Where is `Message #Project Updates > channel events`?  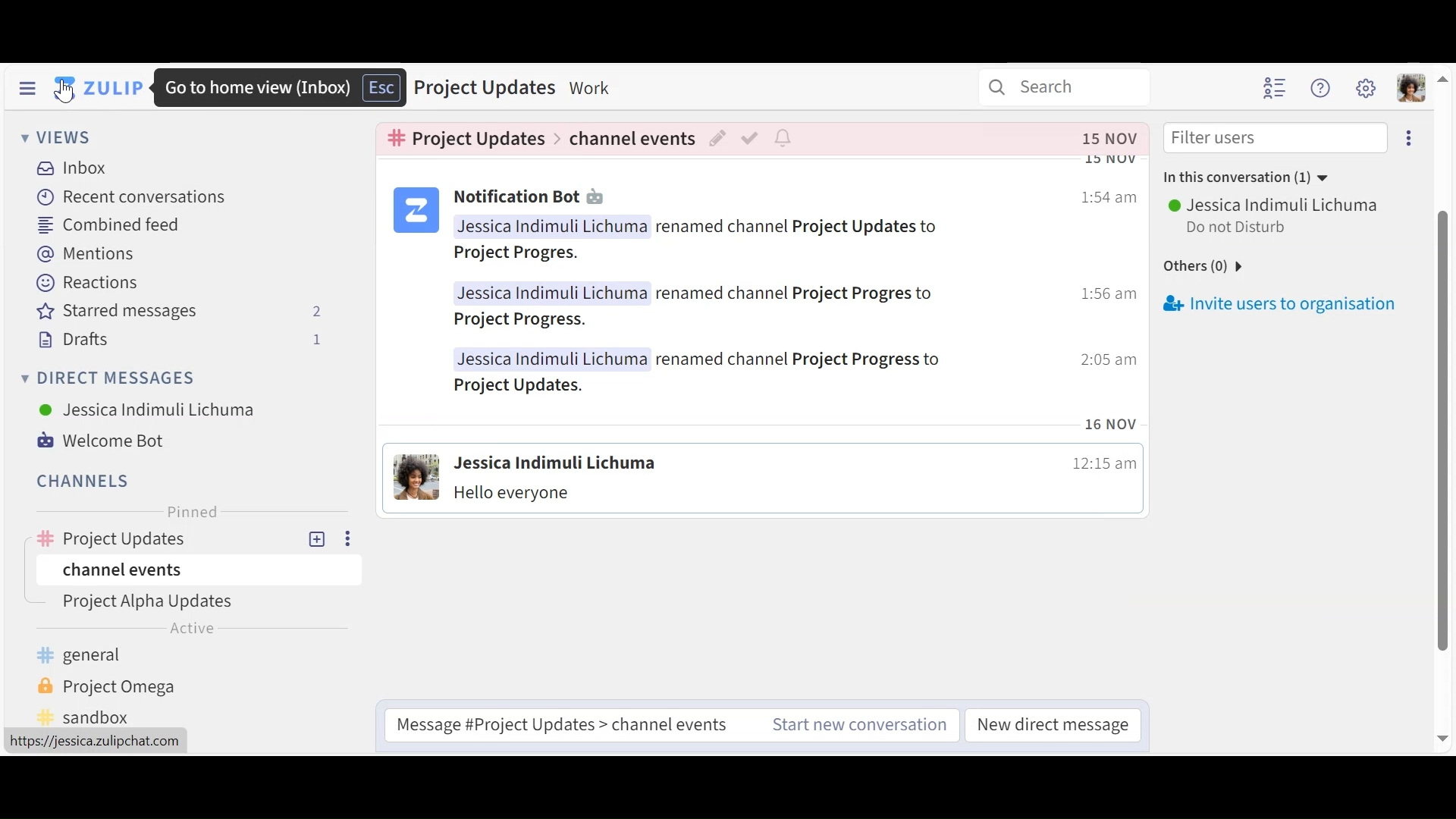 Message #Project Updates > channel events is located at coordinates (563, 726).